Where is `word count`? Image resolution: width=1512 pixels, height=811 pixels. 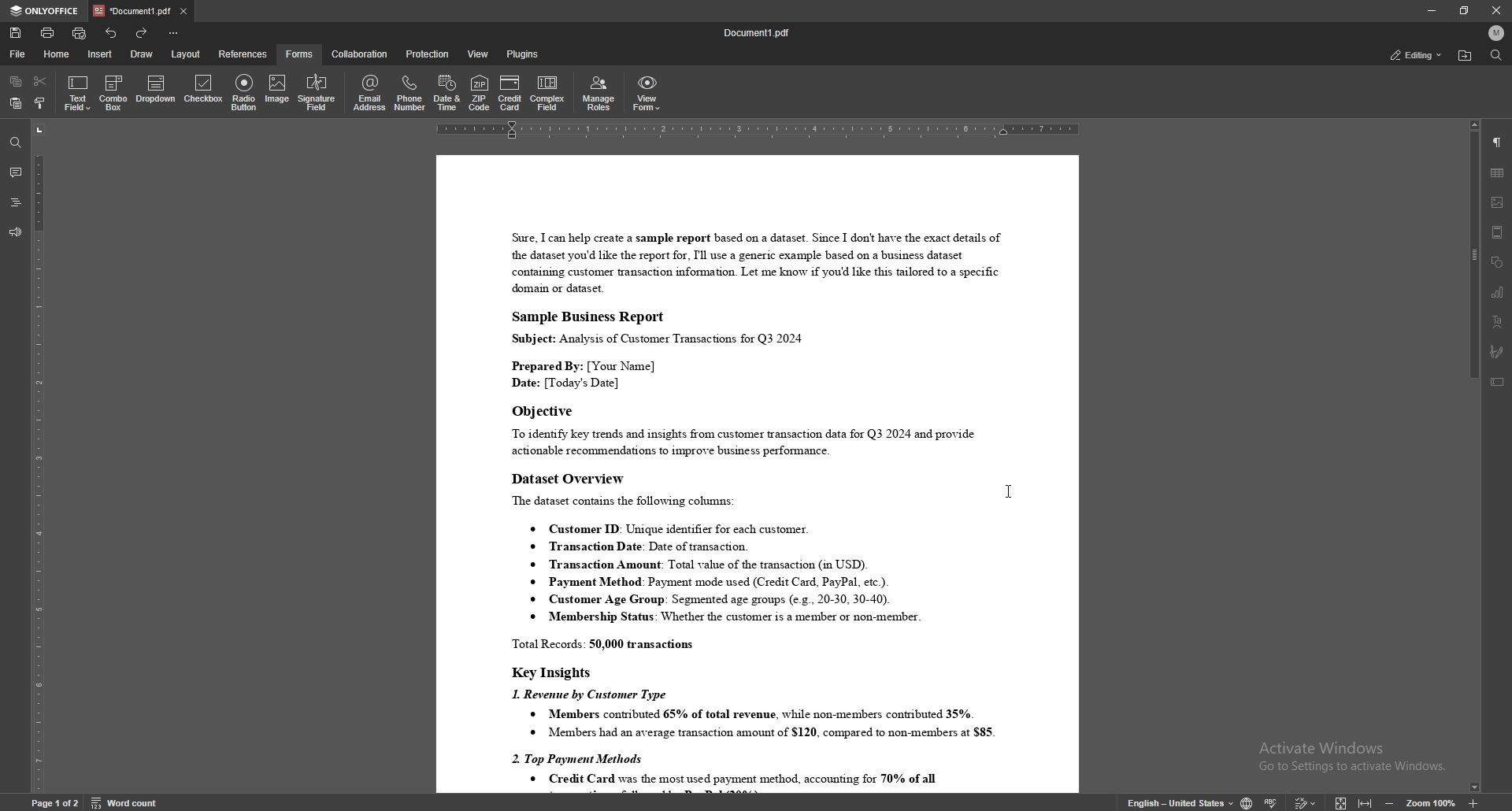
word count is located at coordinates (123, 802).